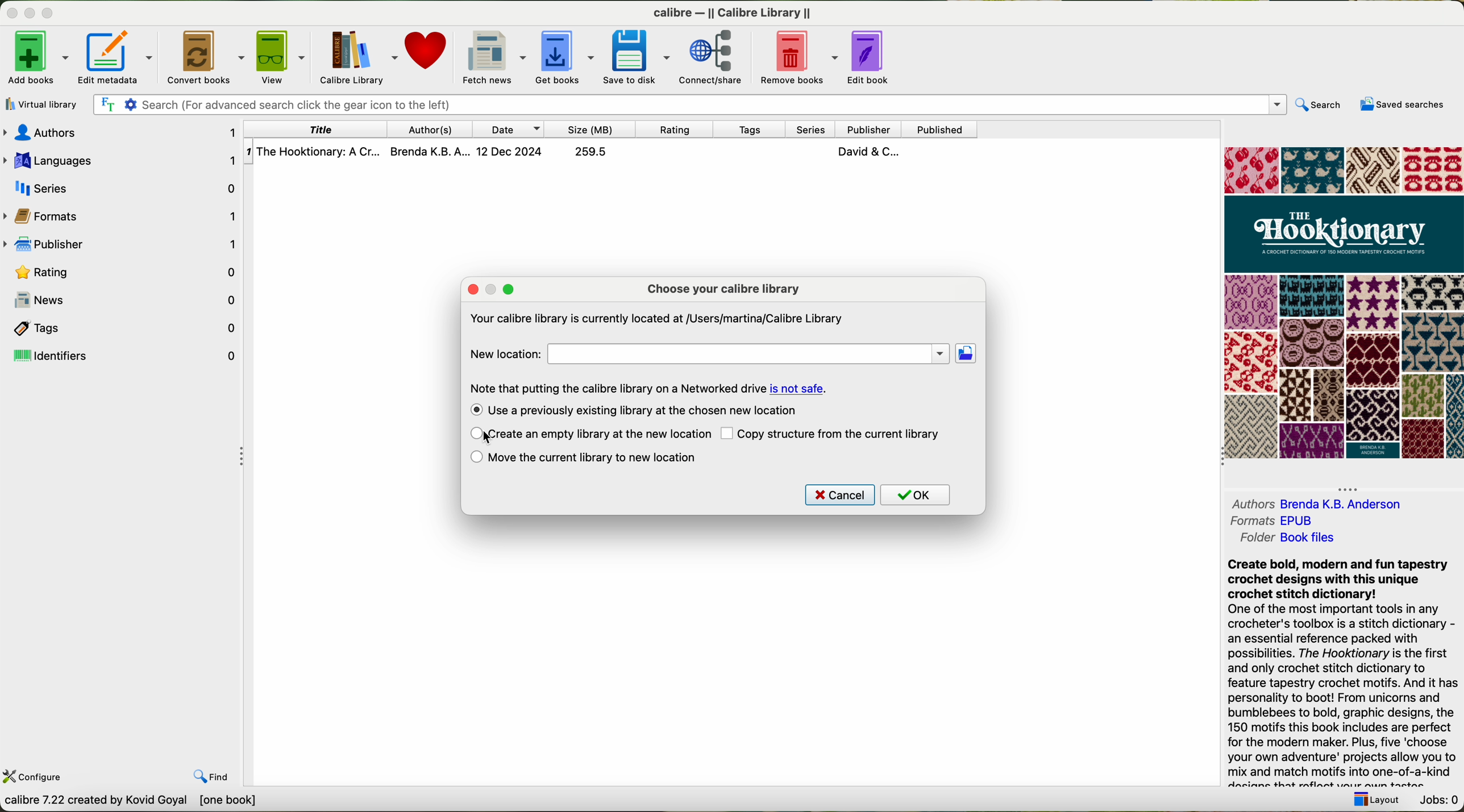  I want to click on configure, so click(36, 776).